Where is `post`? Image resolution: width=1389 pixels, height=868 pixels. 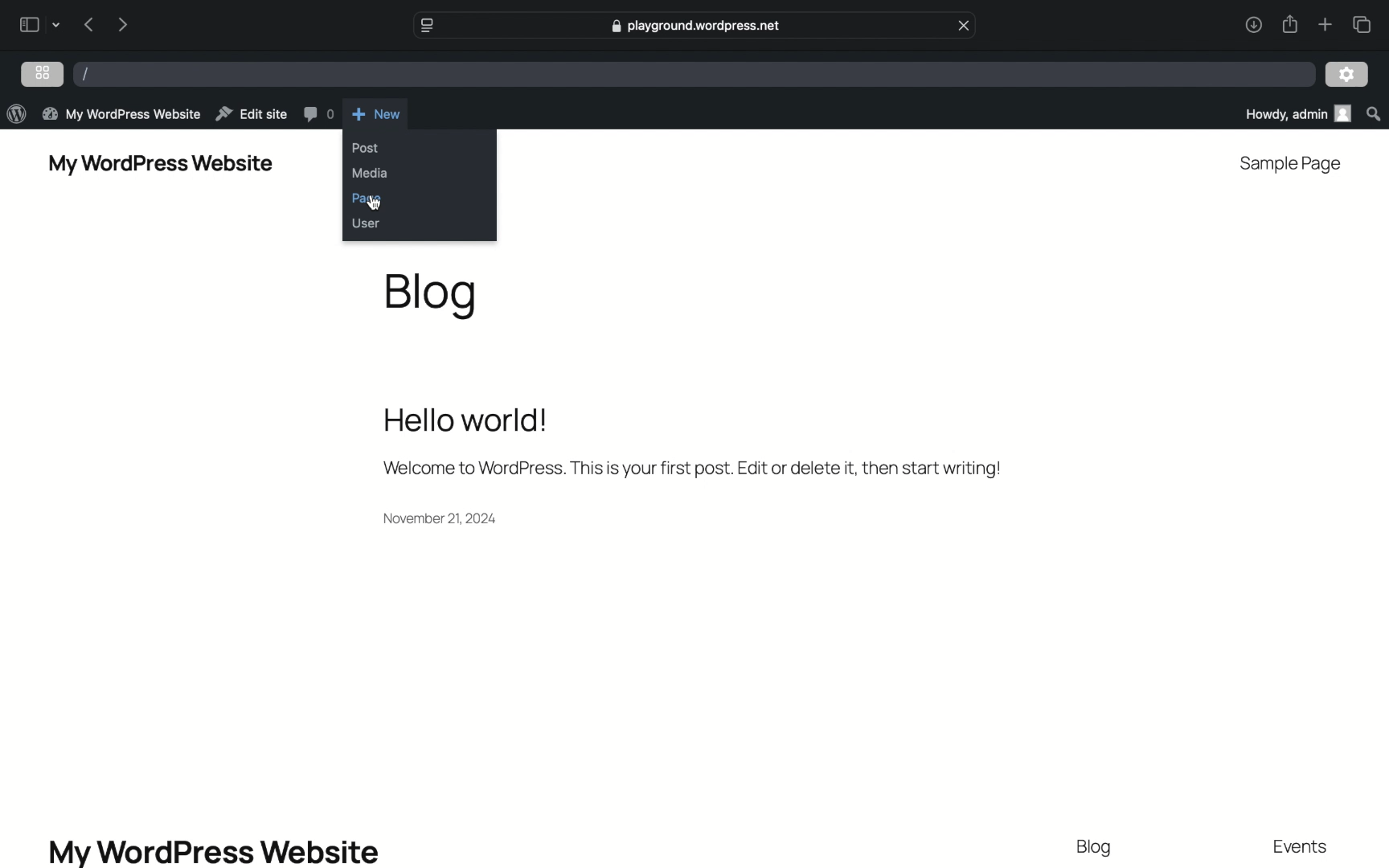
post is located at coordinates (365, 147).